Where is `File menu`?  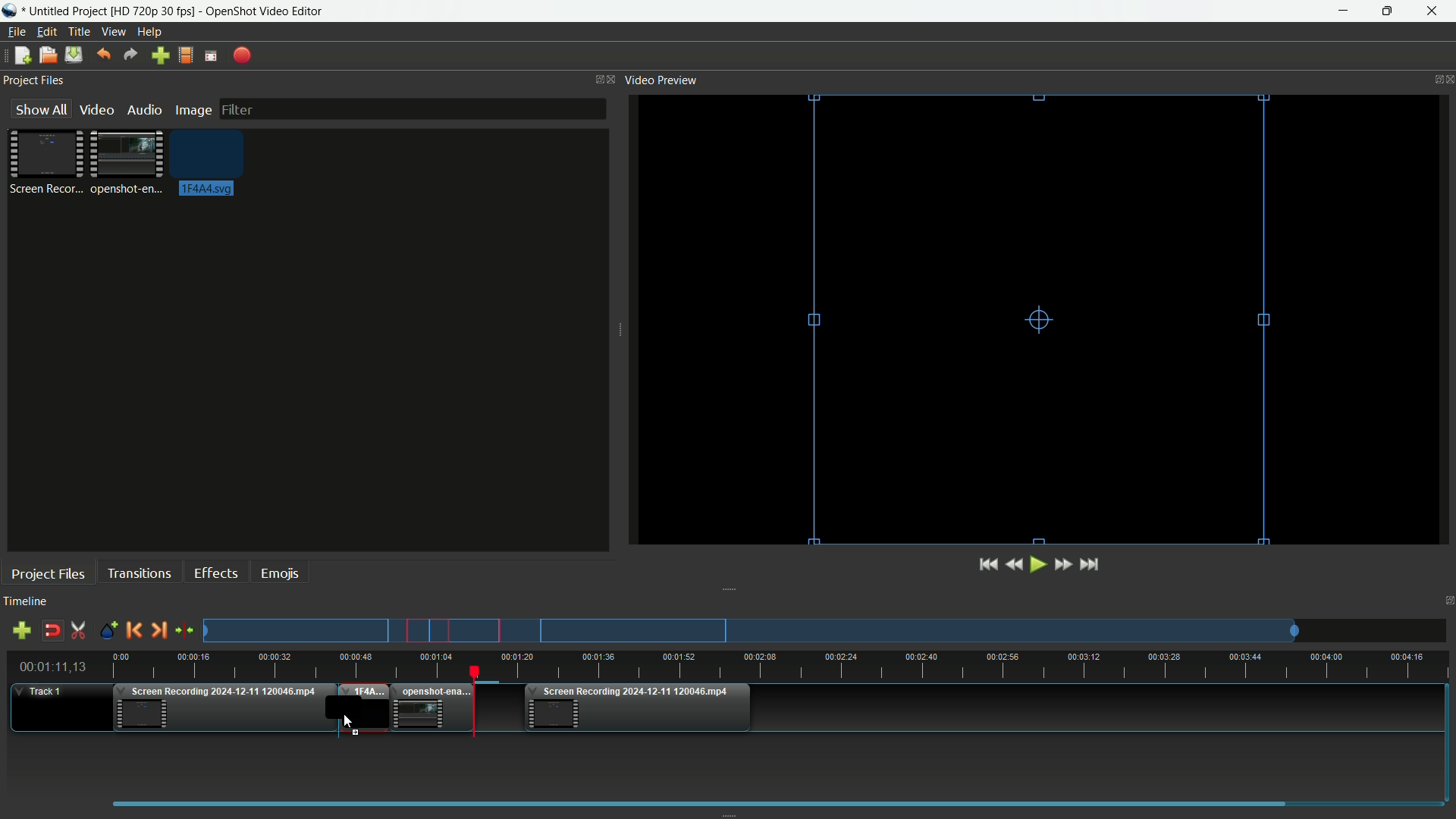 File menu is located at coordinates (14, 33).